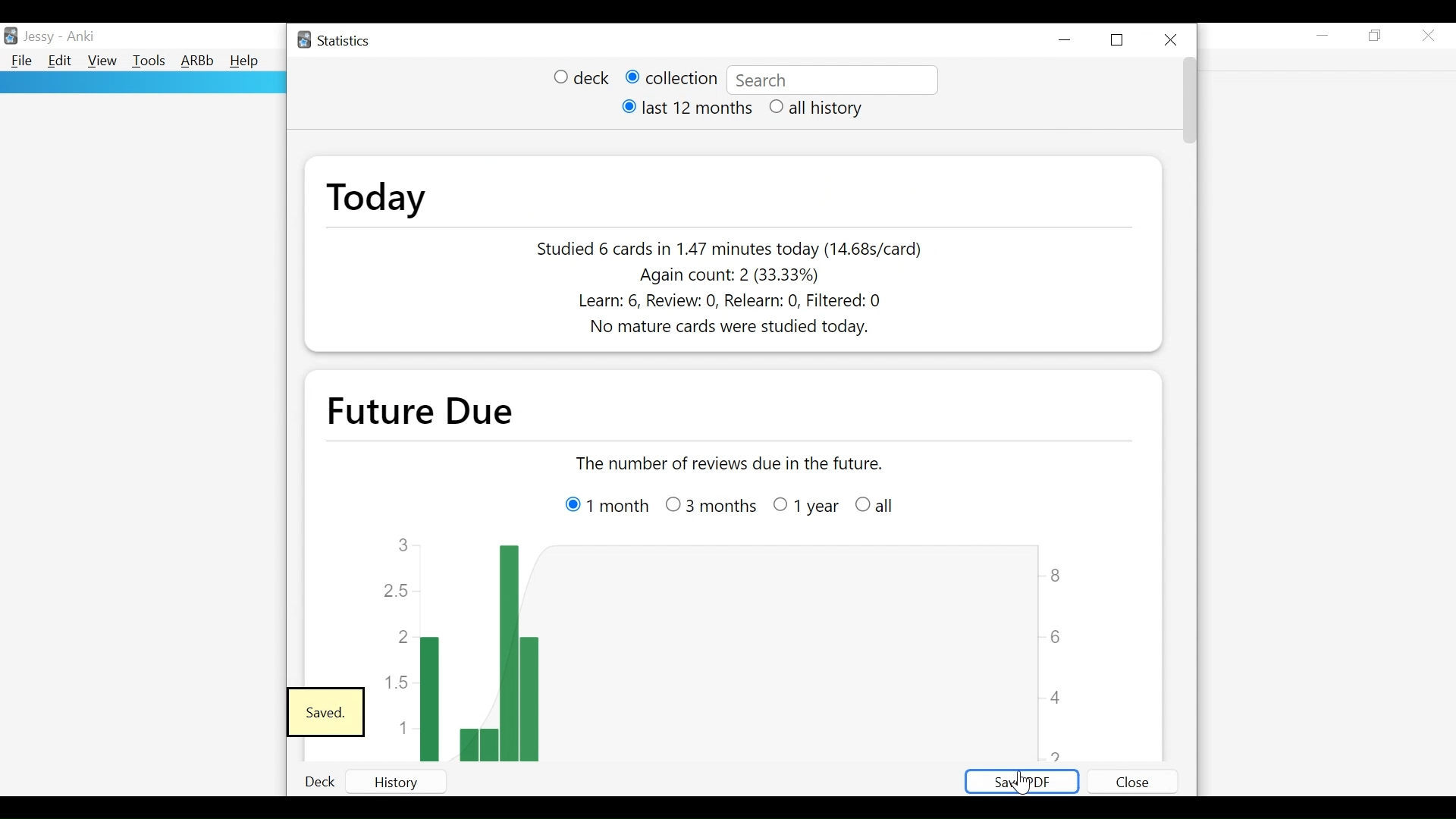 This screenshot has width=1456, height=819. Describe the element at coordinates (685, 109) in the screenshot. I see `(un)select last 12 months` at that location.